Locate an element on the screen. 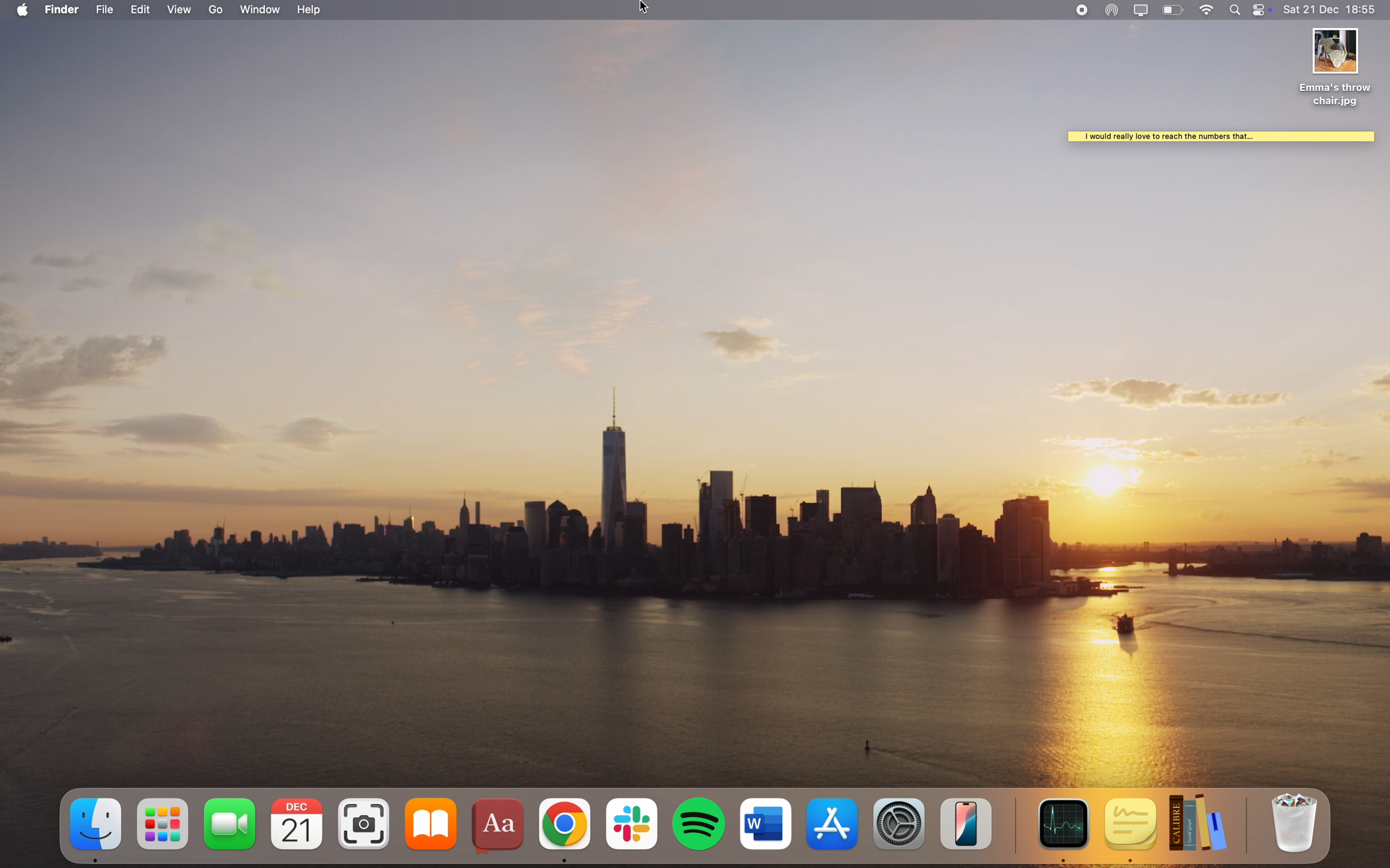 Image resolution: width=1390 pixels, height=868 pixels. settings is located at coordinates (903, 830).